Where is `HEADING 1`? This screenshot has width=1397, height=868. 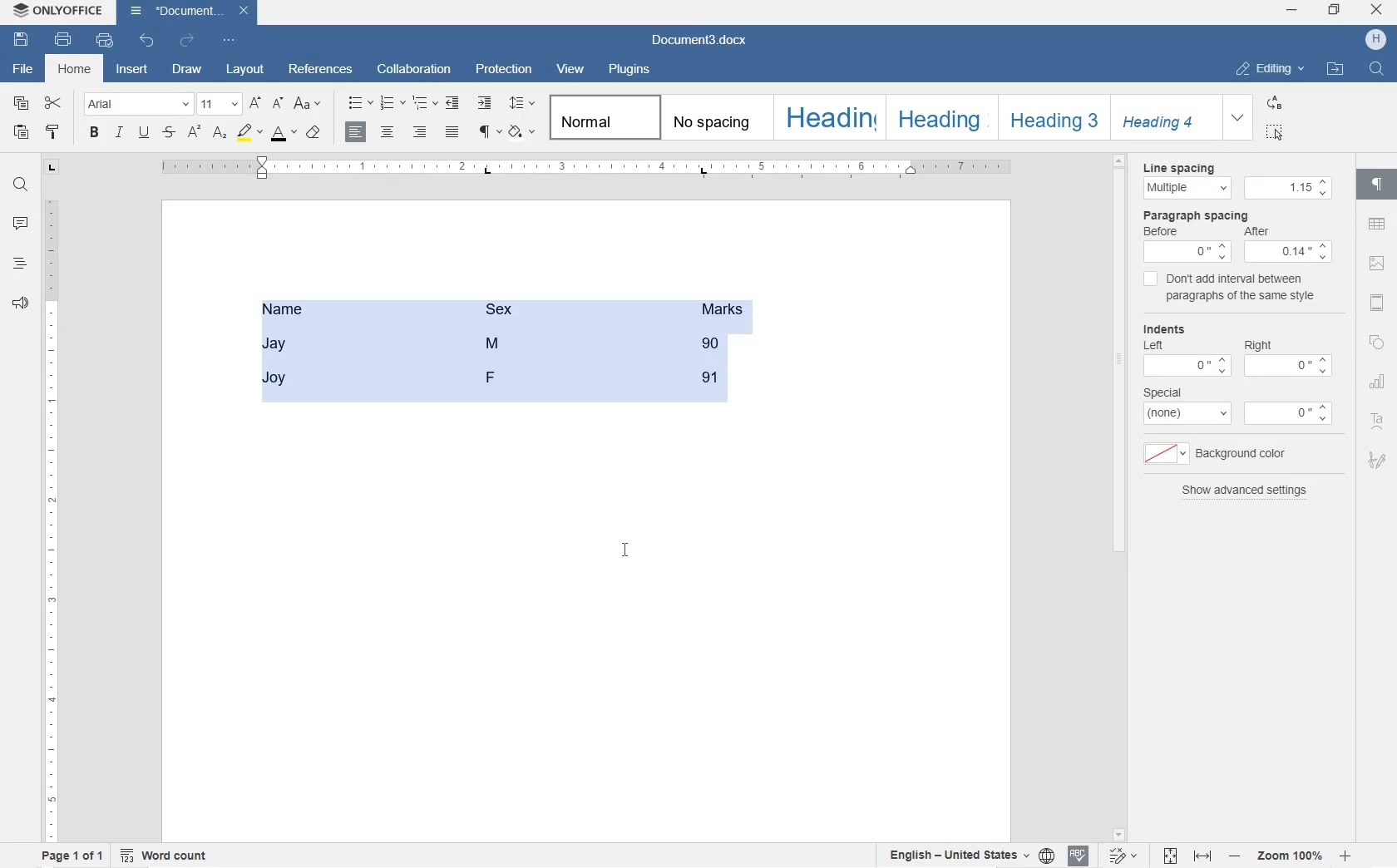
HEADING 1 is located at coordinates (827, 117).